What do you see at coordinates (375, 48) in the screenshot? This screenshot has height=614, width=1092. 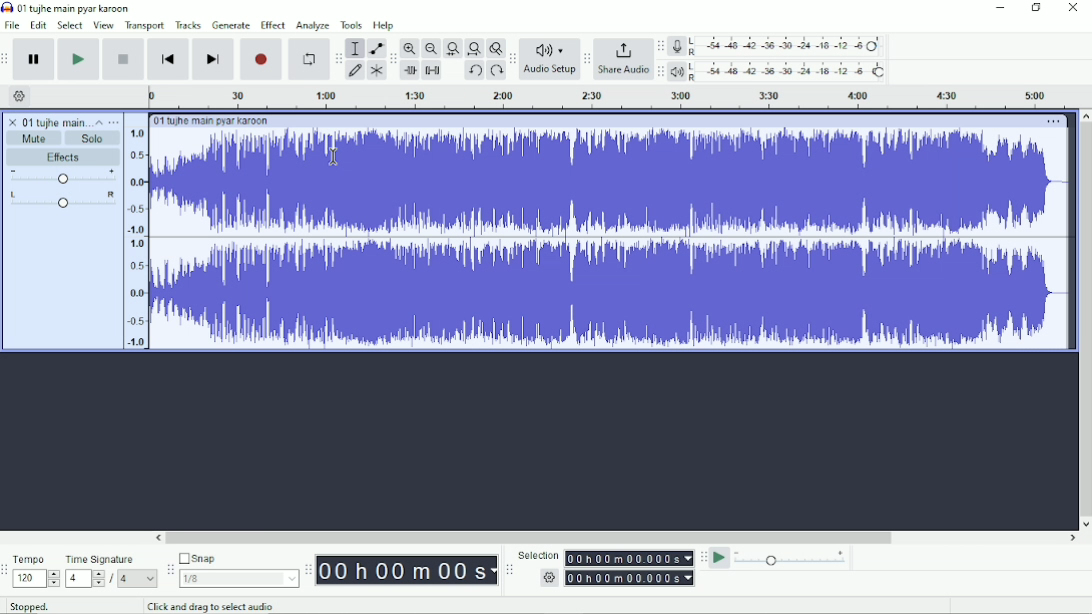 I see `Envelope tool` at bounding box center [375, 48].